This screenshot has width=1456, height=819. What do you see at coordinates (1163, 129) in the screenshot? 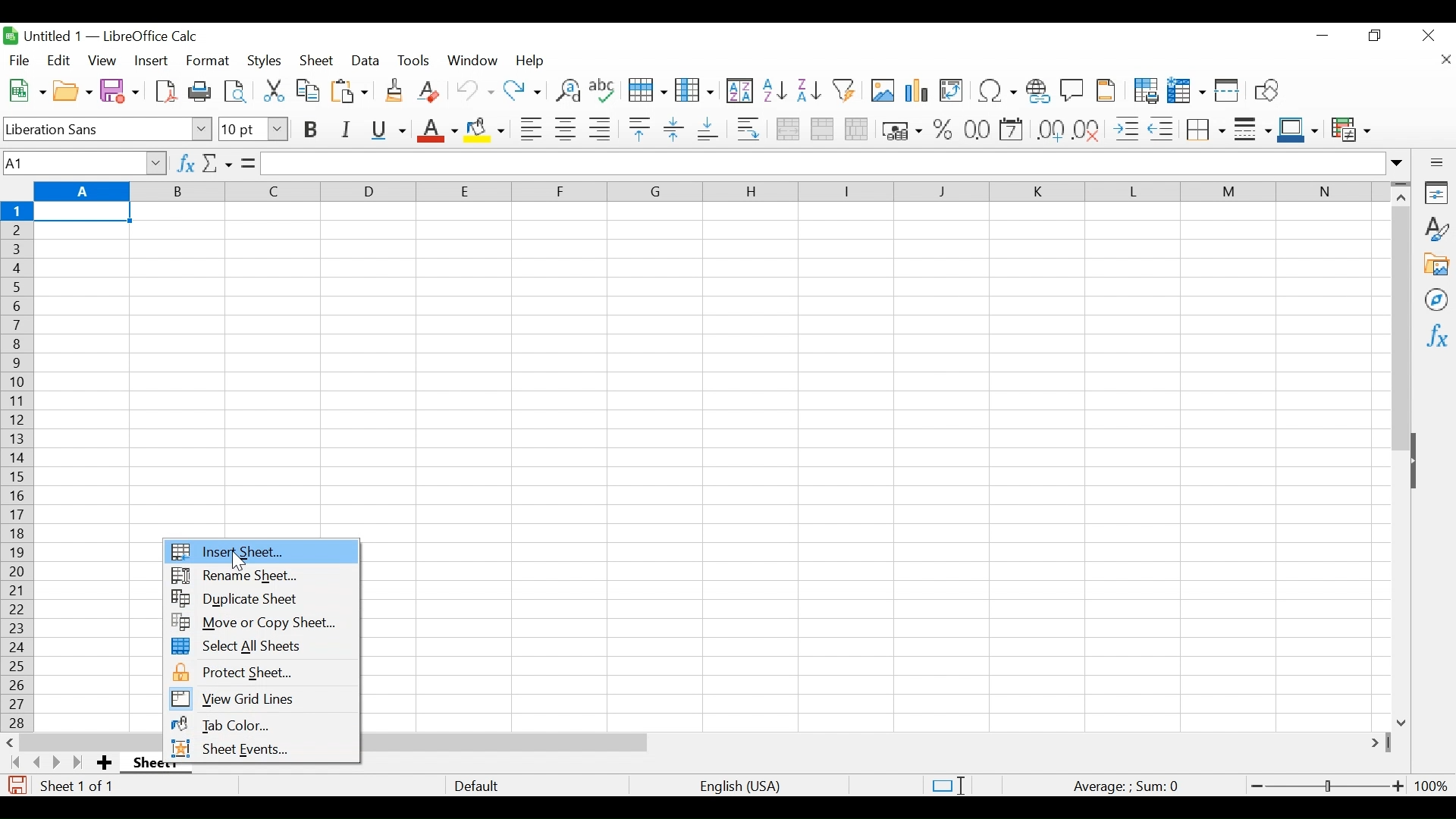
I see `Decrease indent` at bounding box center [1163, 129].